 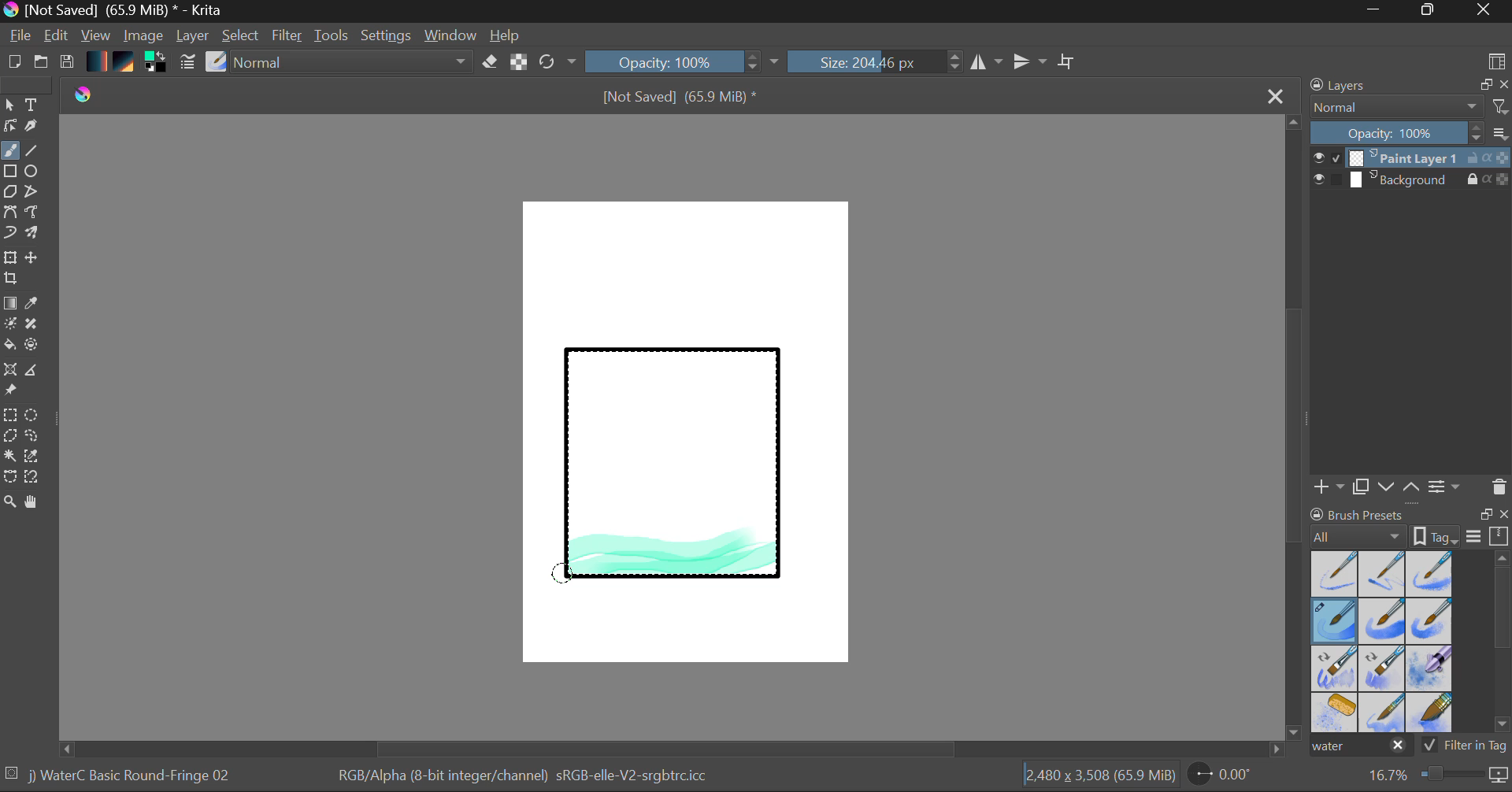 What do you see at coordinates (36, 457) in the screenshot?
I see `Similar Color Selector` at bounding box center [36, 457].